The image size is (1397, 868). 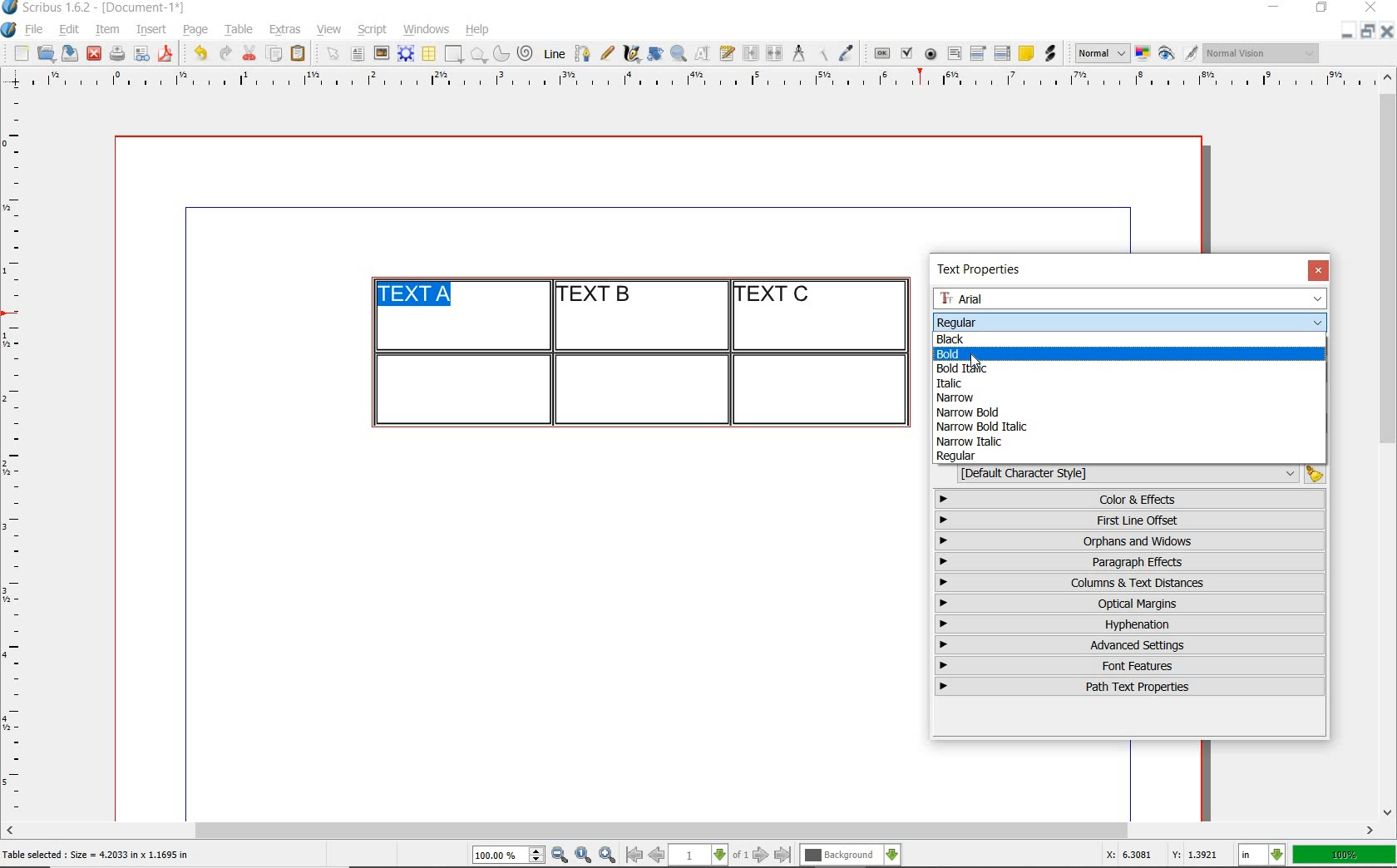 What do you see at coordinates (427, 30) in the screenshot?
I see `windows` at bounding box center [427, 30].